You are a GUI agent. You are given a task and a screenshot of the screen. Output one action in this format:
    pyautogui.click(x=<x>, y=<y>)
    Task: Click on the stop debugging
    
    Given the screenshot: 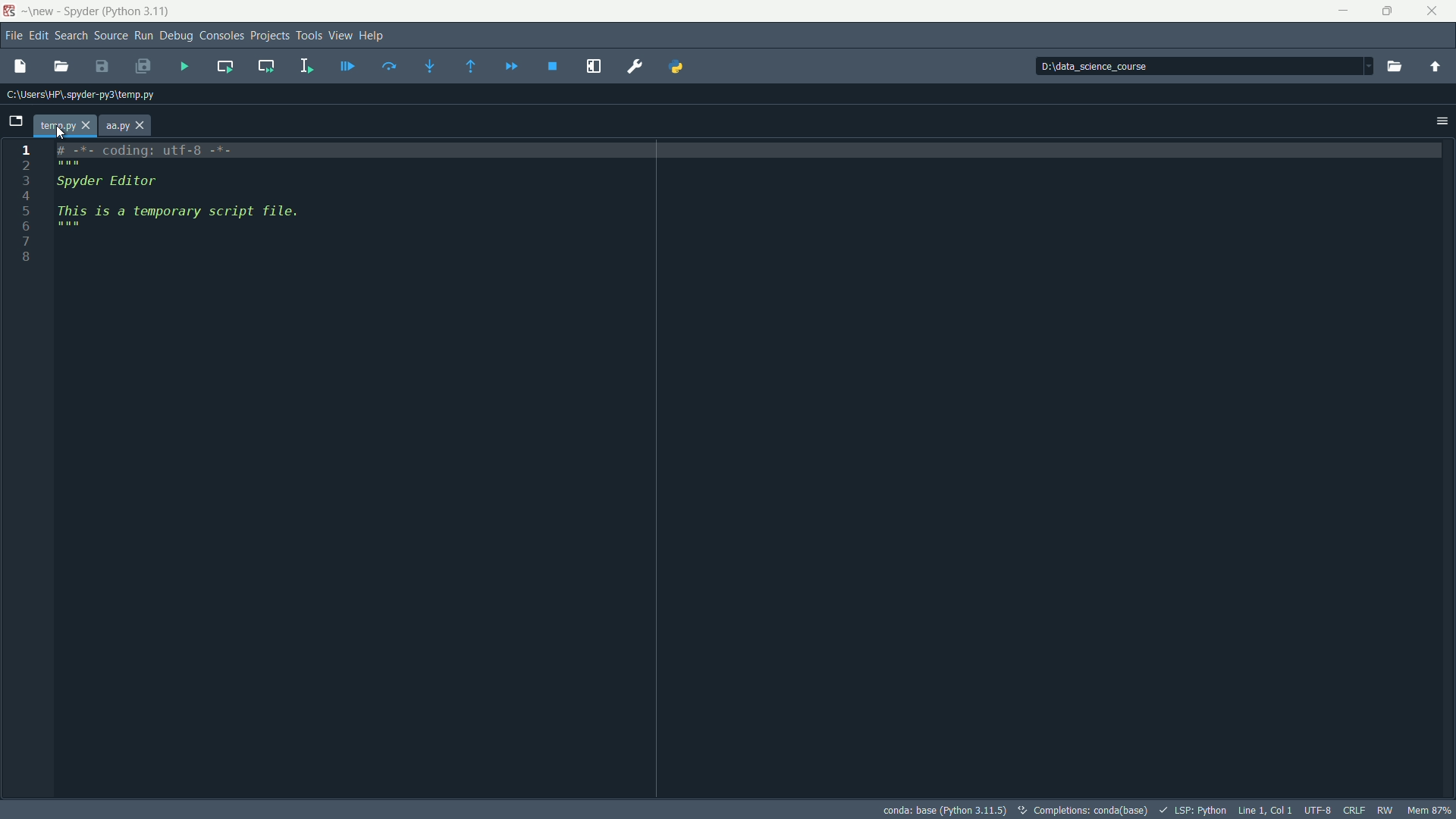 What is the action you would take?
    pyautogui.click(x=556, y=66)
    